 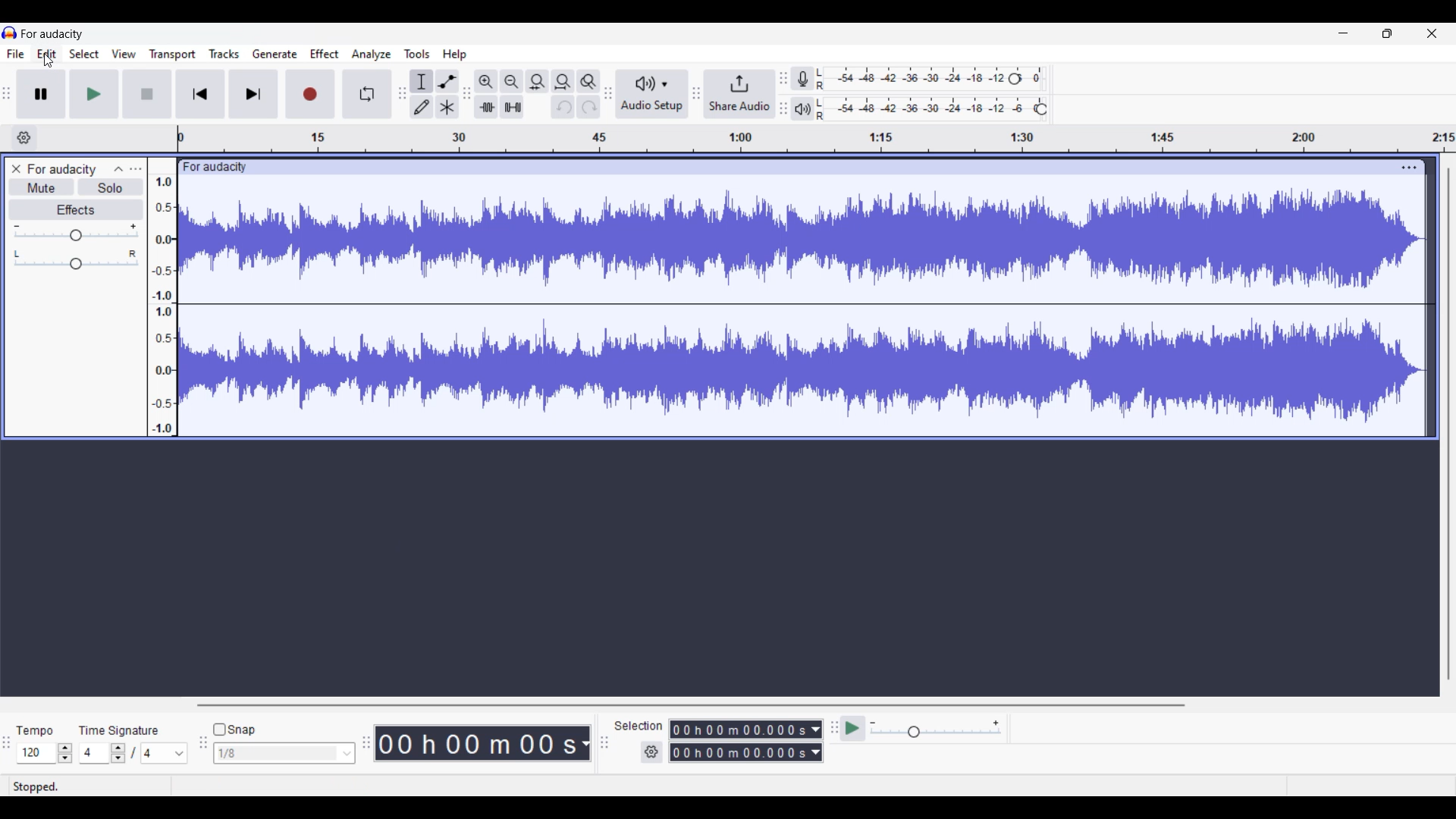 I want to click on Envelop tool, so click(x=448, y=81).